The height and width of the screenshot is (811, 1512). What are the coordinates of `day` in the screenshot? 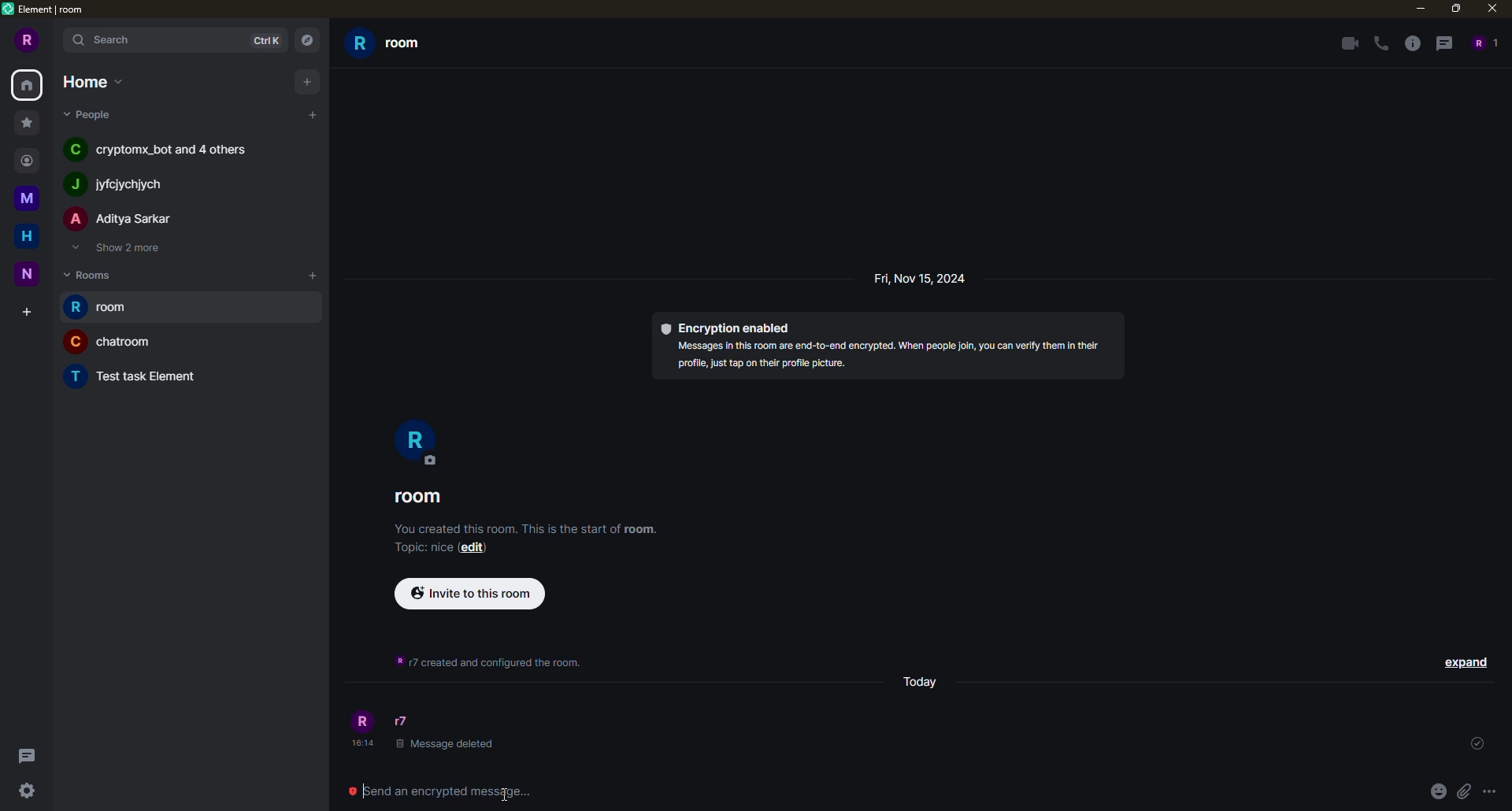 It's located at (928, 278).